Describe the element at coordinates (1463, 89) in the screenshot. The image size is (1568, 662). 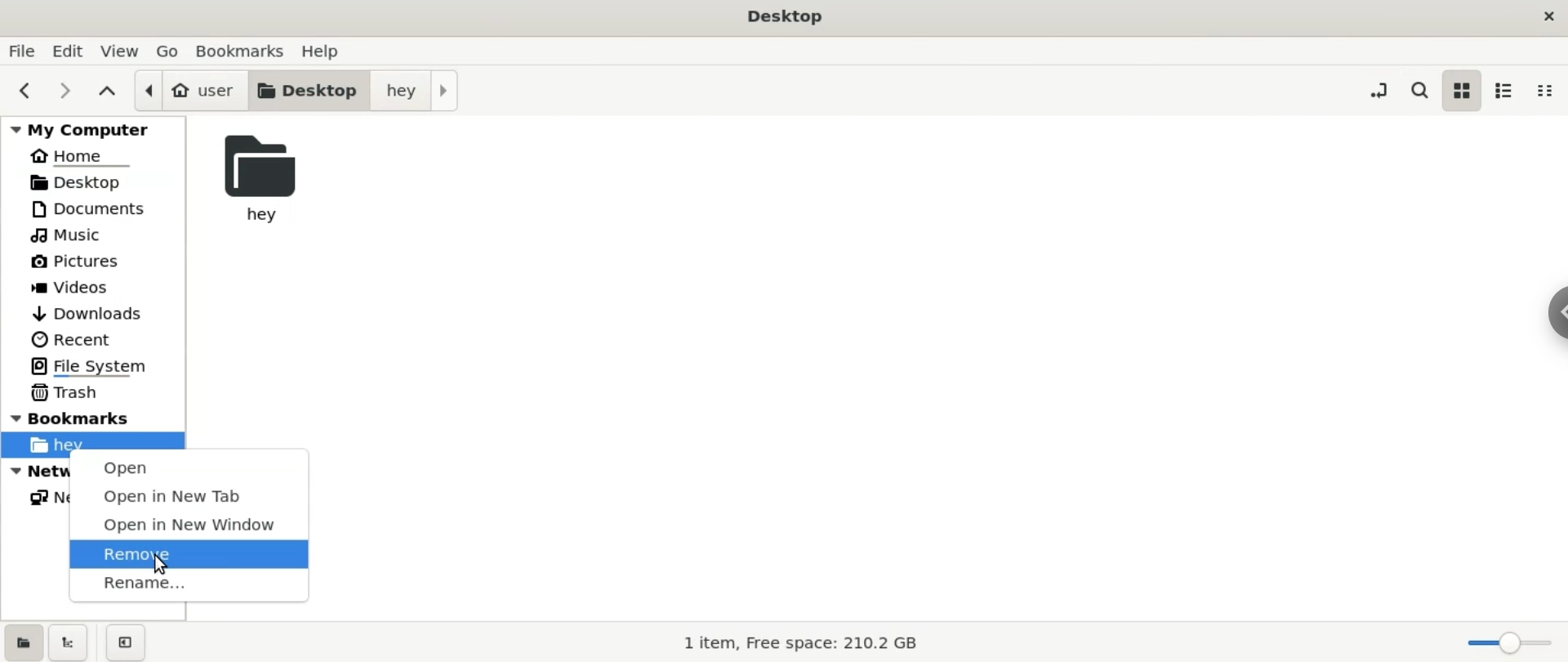
I see `icon view` at that location.